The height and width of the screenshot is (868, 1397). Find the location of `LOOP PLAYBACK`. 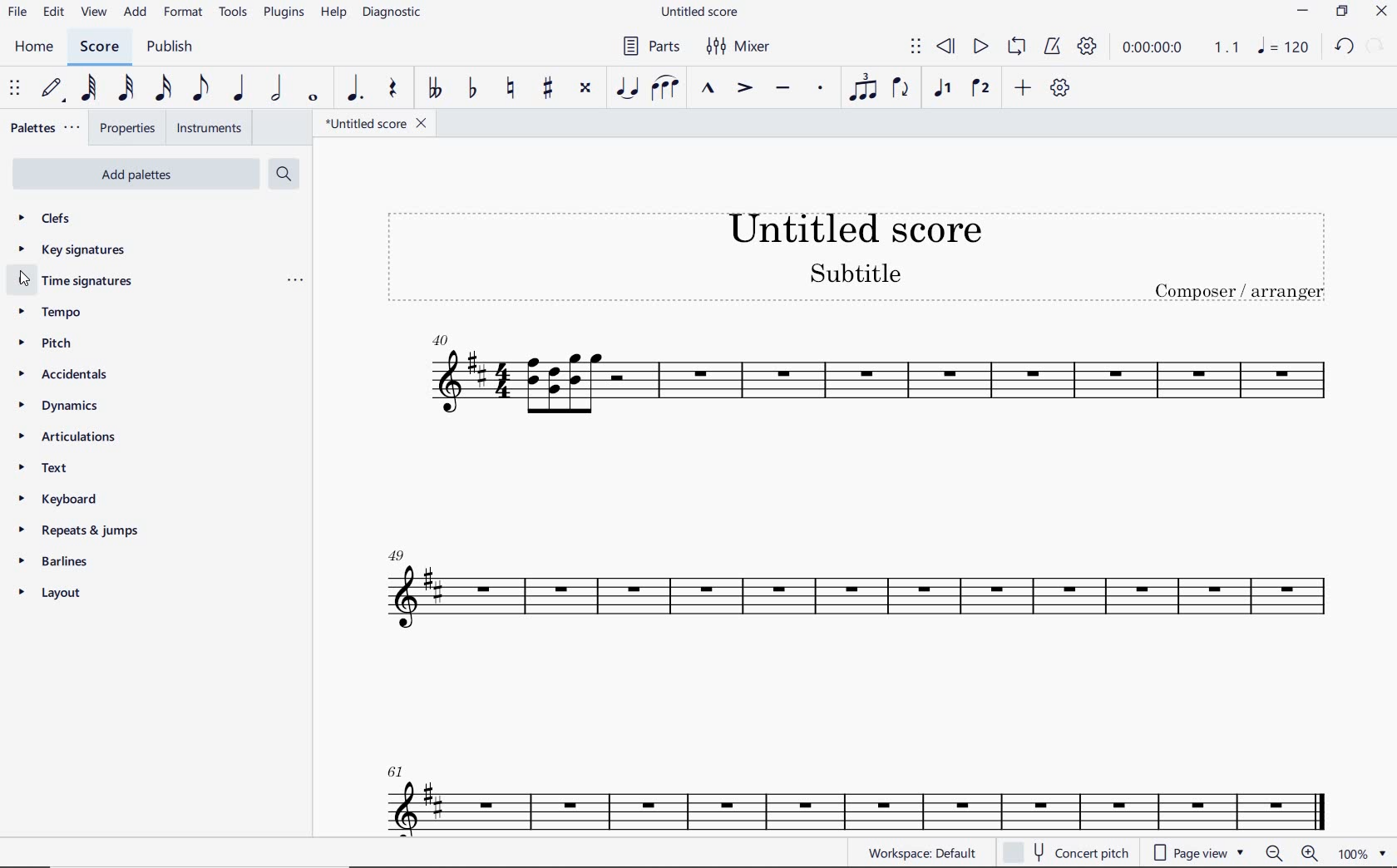

LOOP PLAYBACK is located at coordinates (1015, 47).